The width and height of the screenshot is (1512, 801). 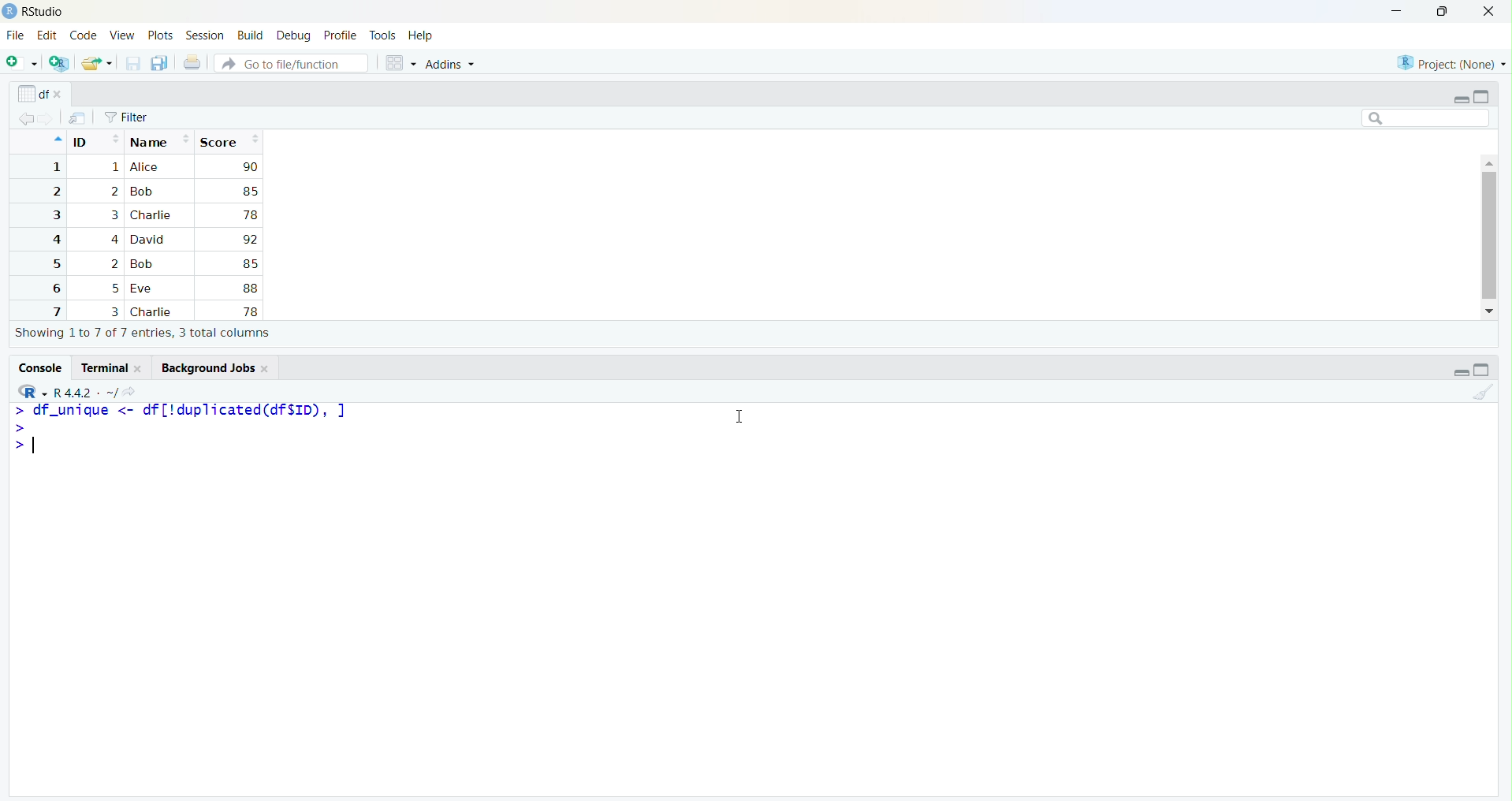 I want to click on 85, so click(x=249, y=191).